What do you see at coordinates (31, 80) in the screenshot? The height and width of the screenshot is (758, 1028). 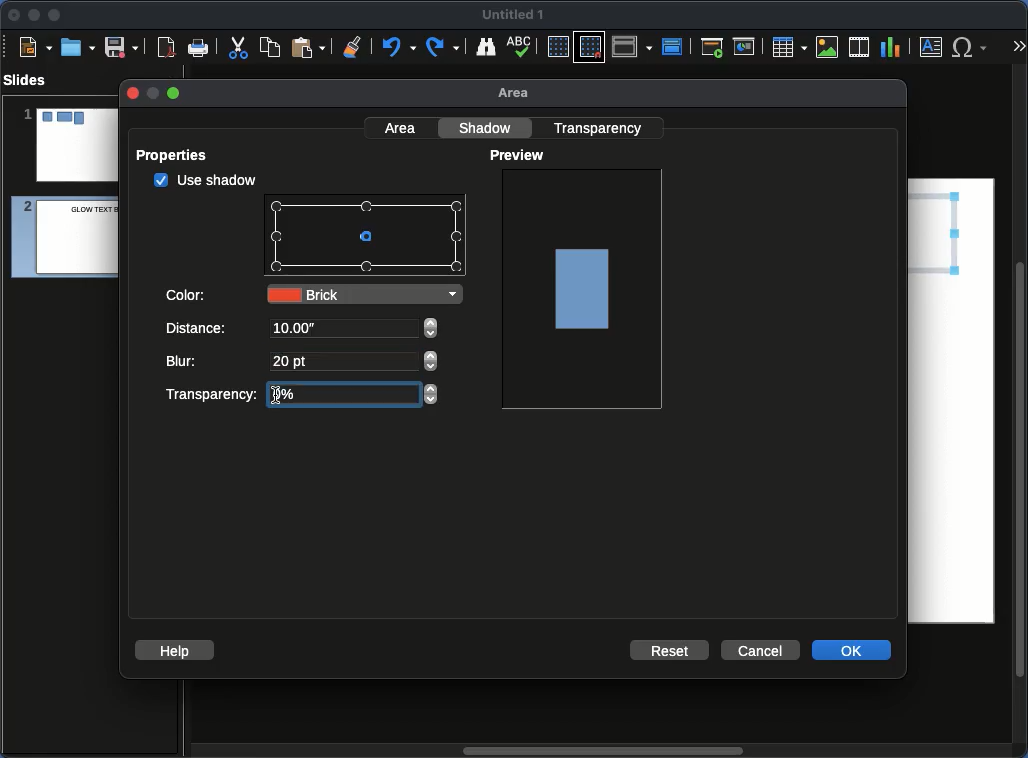 I see `Slides` at bounding box center [31, 80].